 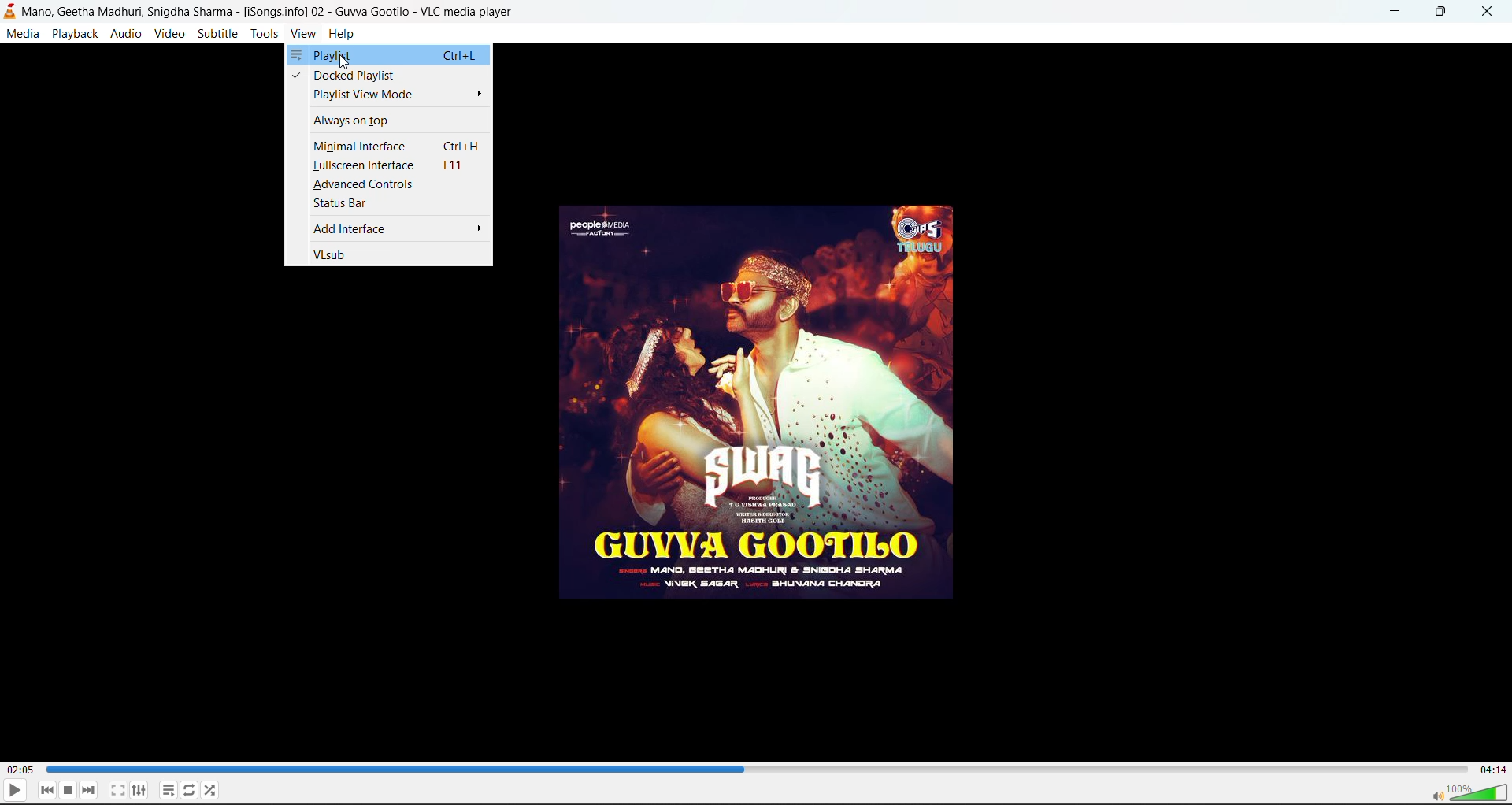 I want to click on play, so click(x=15, y=789).